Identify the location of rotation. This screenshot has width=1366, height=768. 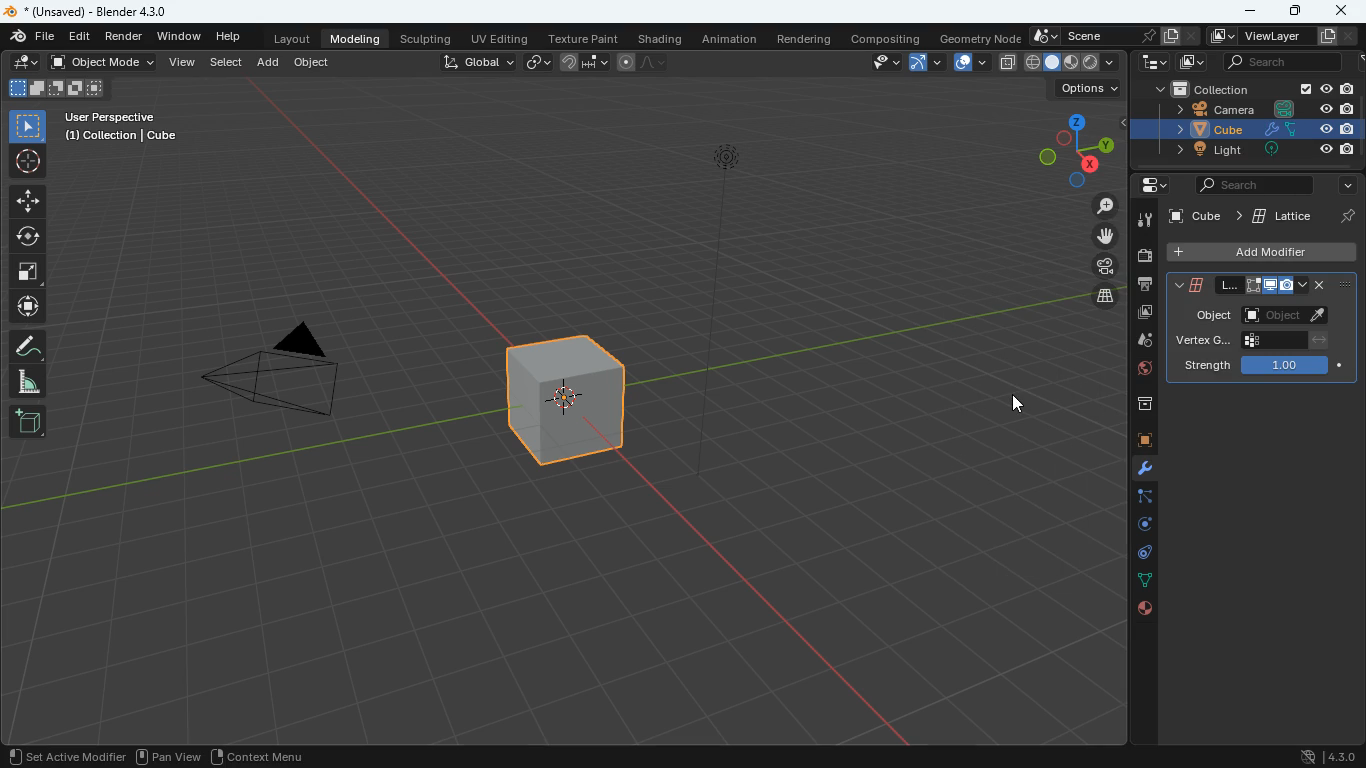
(1135, 526).